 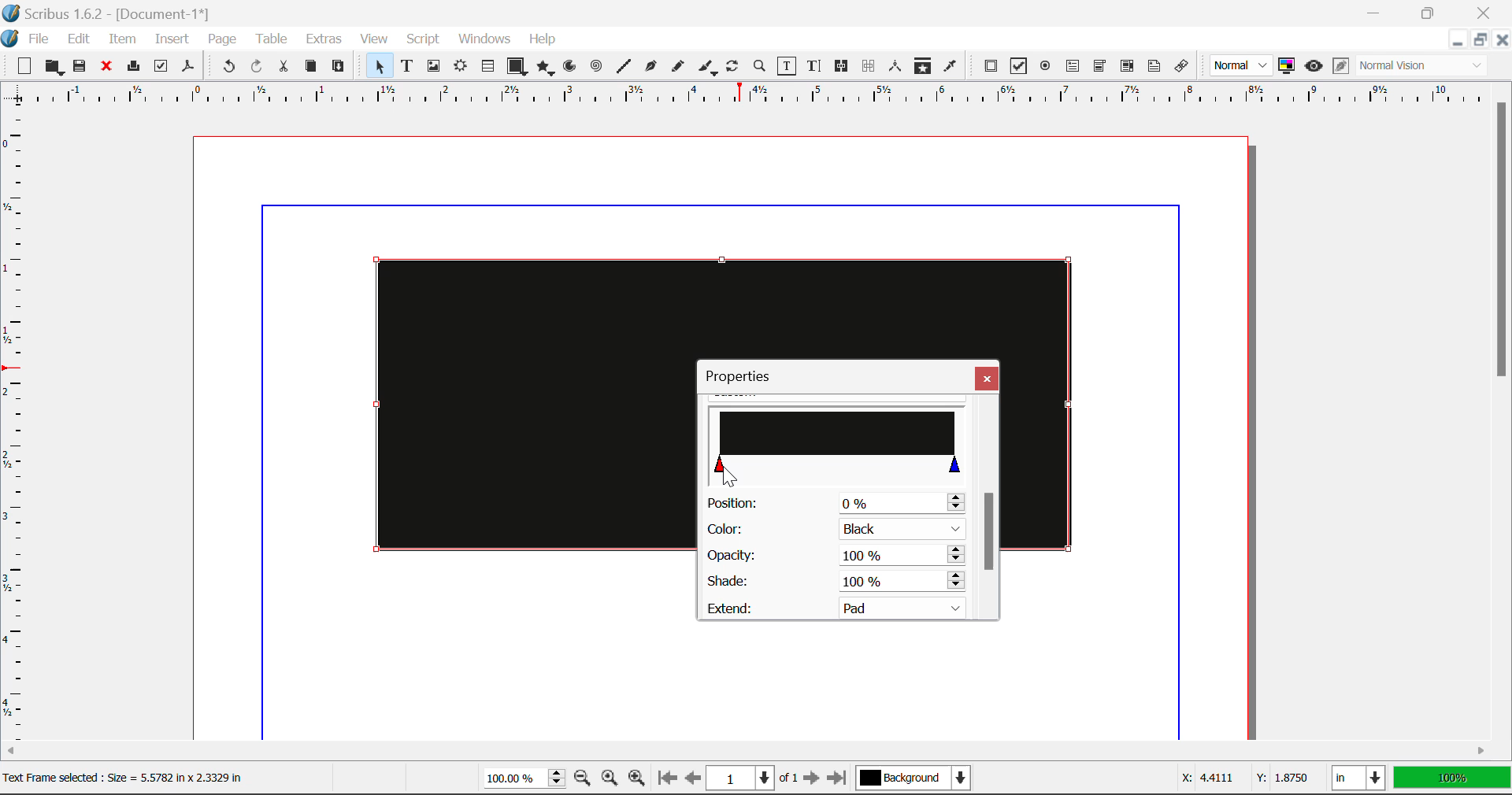 What do you see at coordinates (760, 65) in the screenshot?
I see `Zoom` at bounding box center [760, 65].